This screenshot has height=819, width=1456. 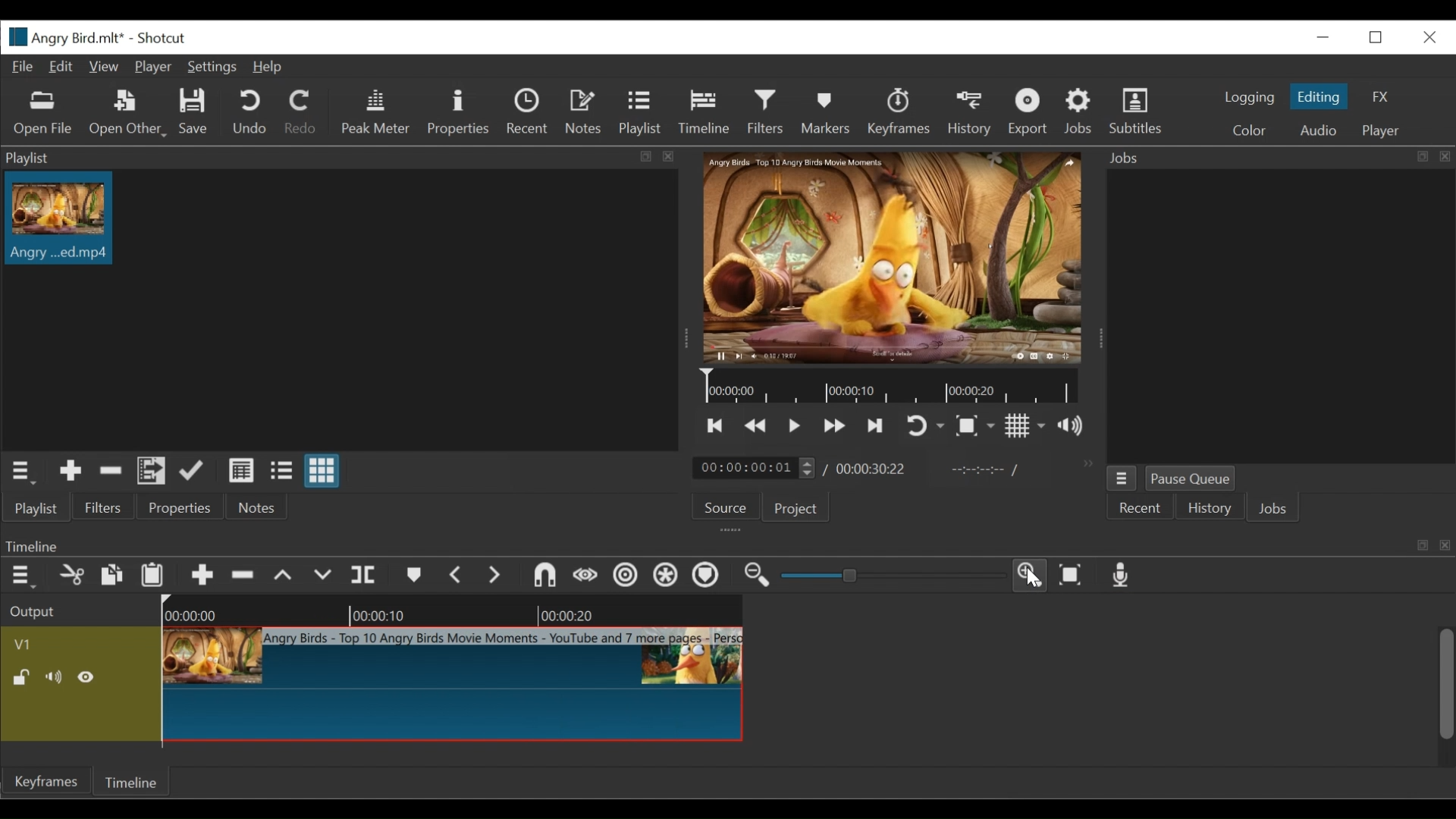 What do you see at coordinates (64, 37) in the screenshot?
I see `File name` at bounding box center [64, 37].